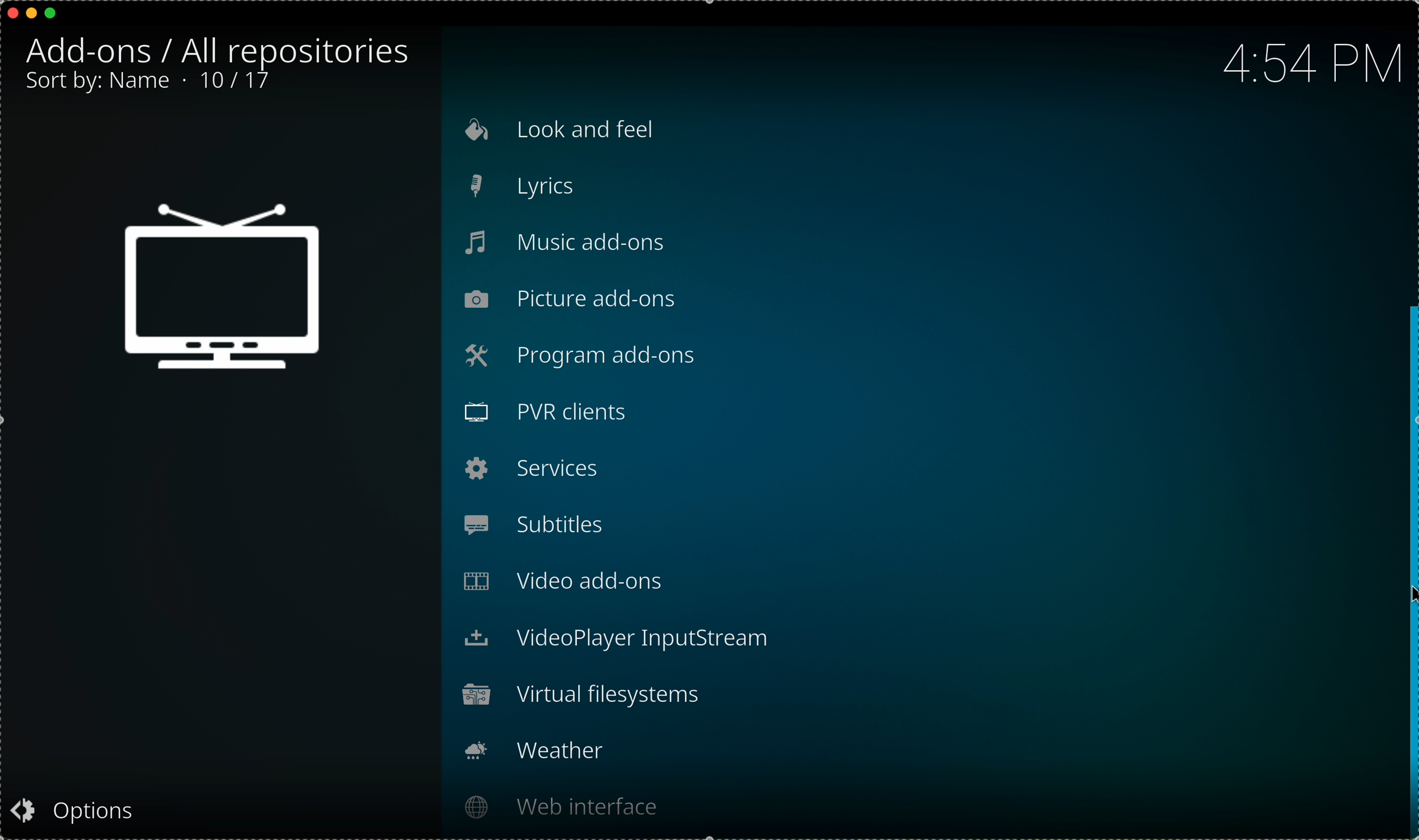 This screenshot has height=840, width=1419. What do you see at coordinates (533, 468) in the screenshot?
I see `services` at bounding box center [533, 468].